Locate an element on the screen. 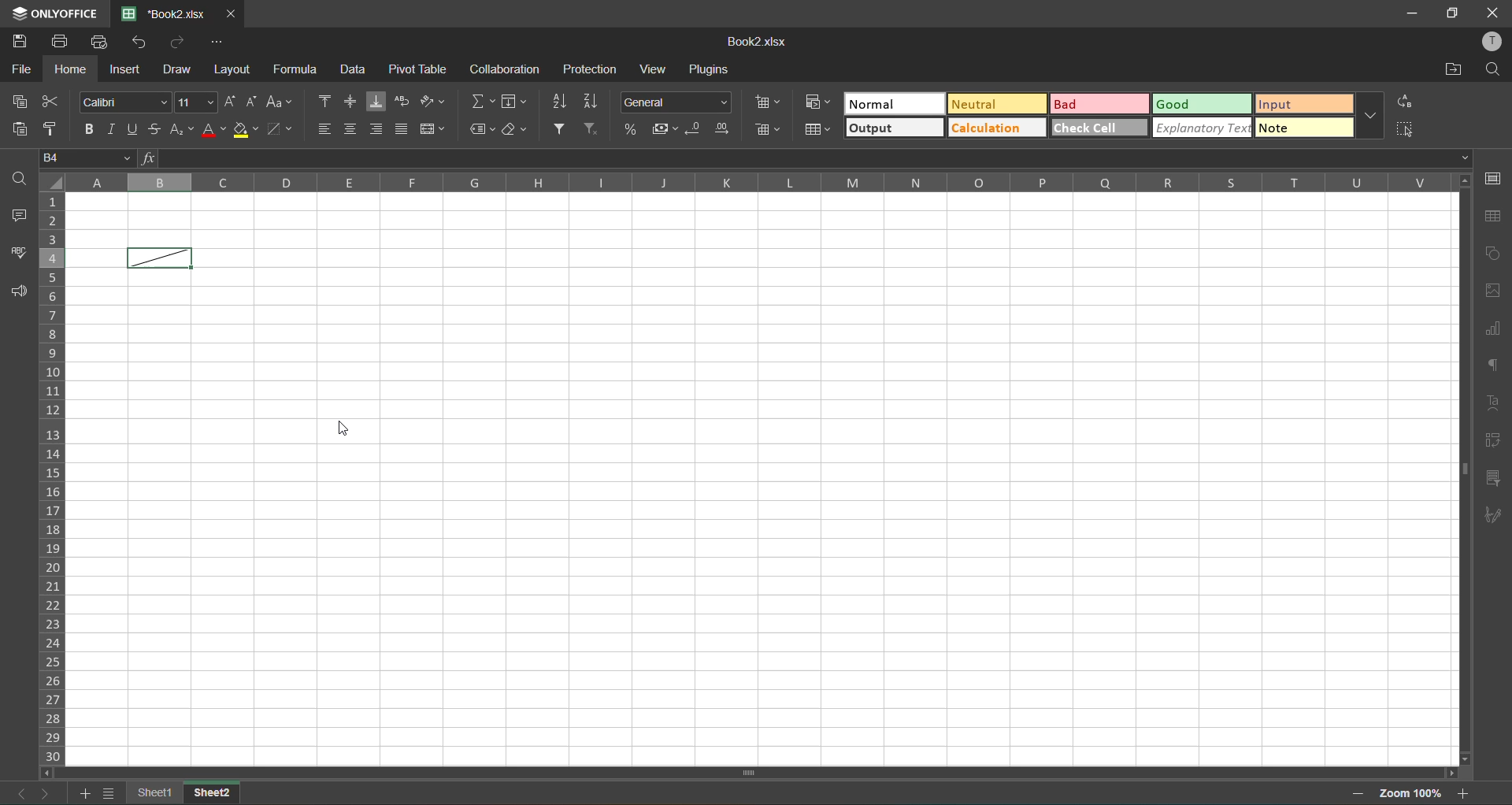 The height and width of the screenshot is (805, 1512). underline is located at coordinates (132, 128).